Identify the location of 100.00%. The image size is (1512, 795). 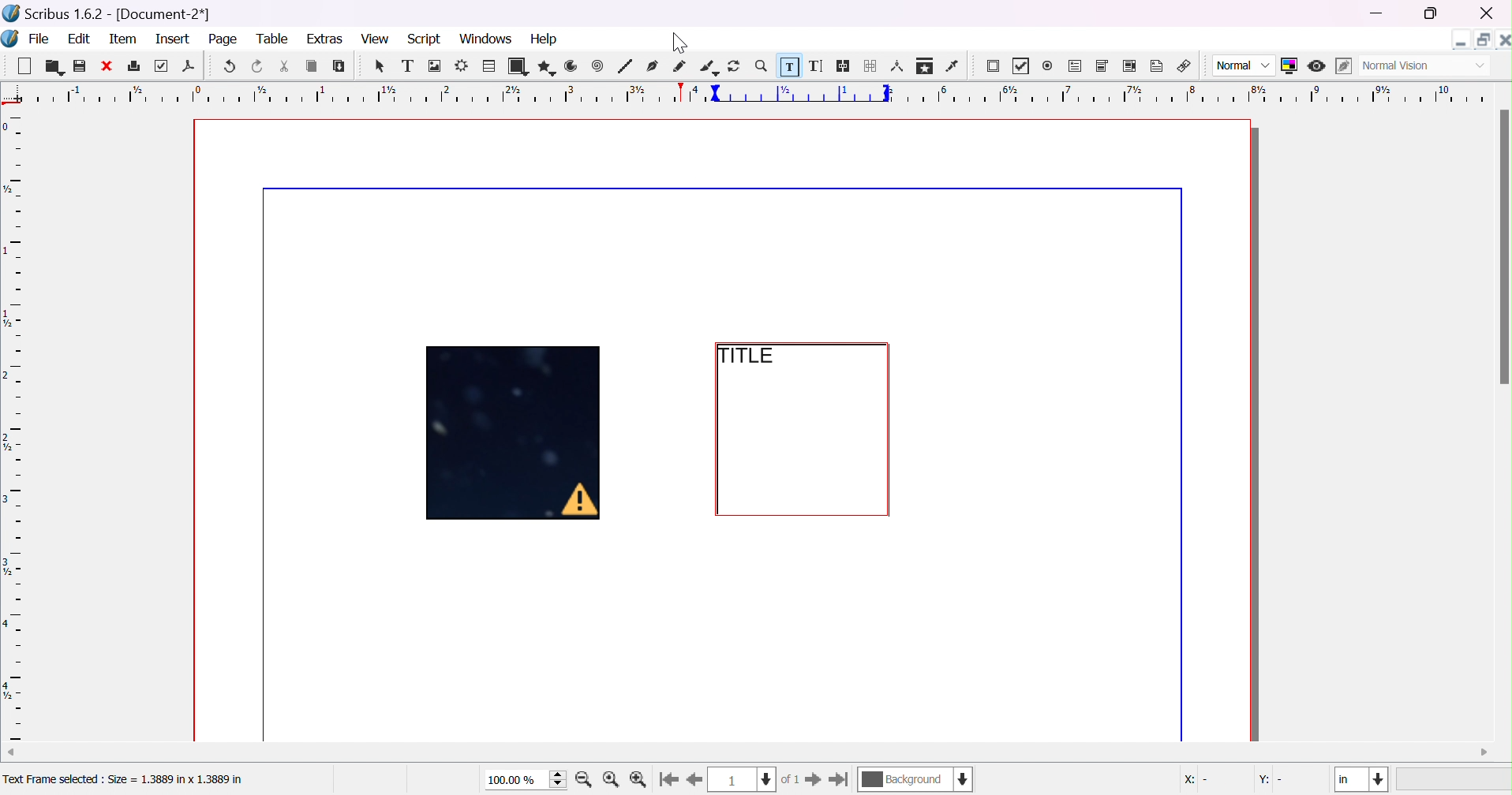
(527, 780).